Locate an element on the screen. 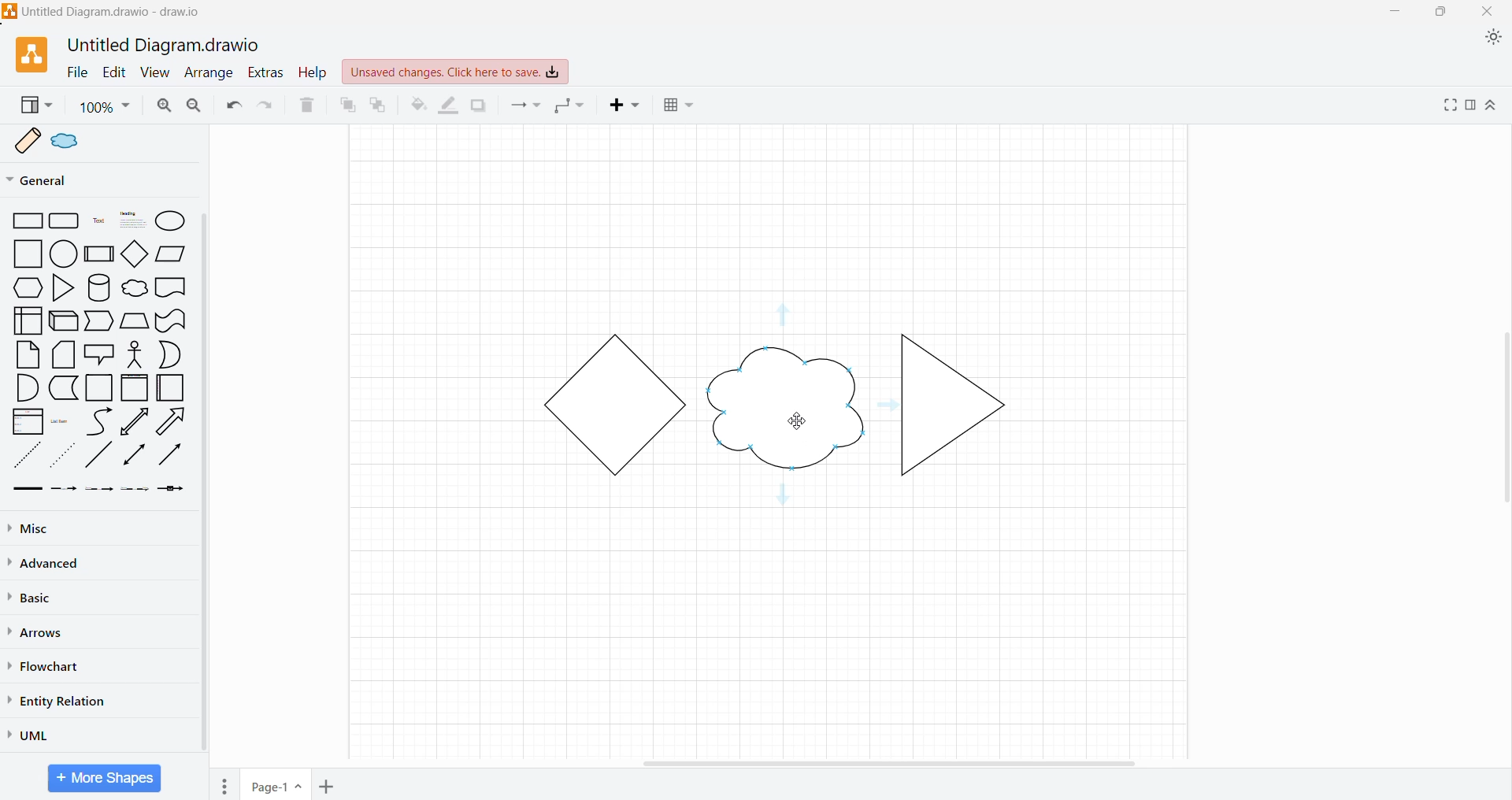 The image size is (1512, 800). Fullscreen is located at coordinates (1447, 107).